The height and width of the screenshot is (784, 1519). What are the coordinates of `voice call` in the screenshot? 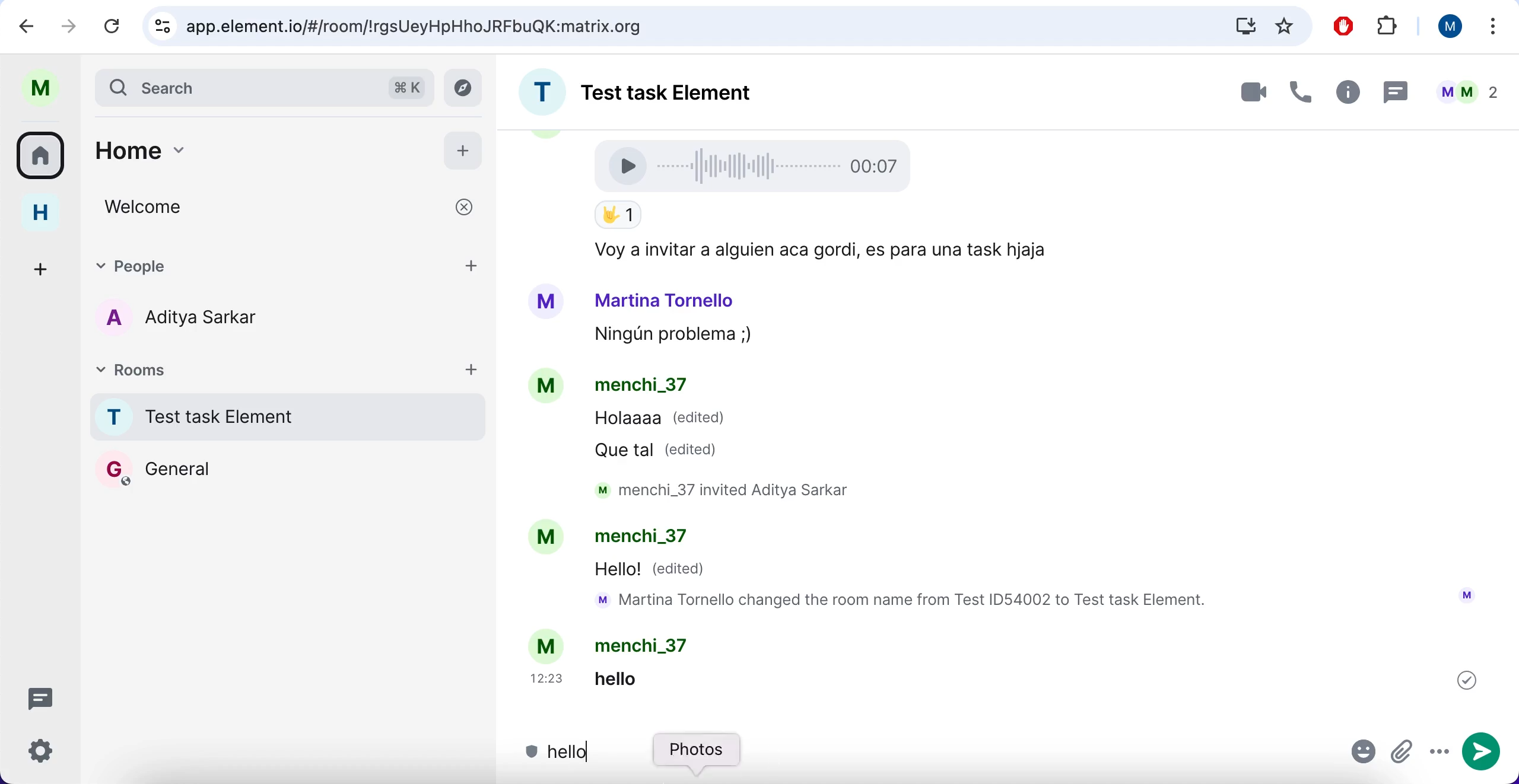 It's located at (1297, 95).